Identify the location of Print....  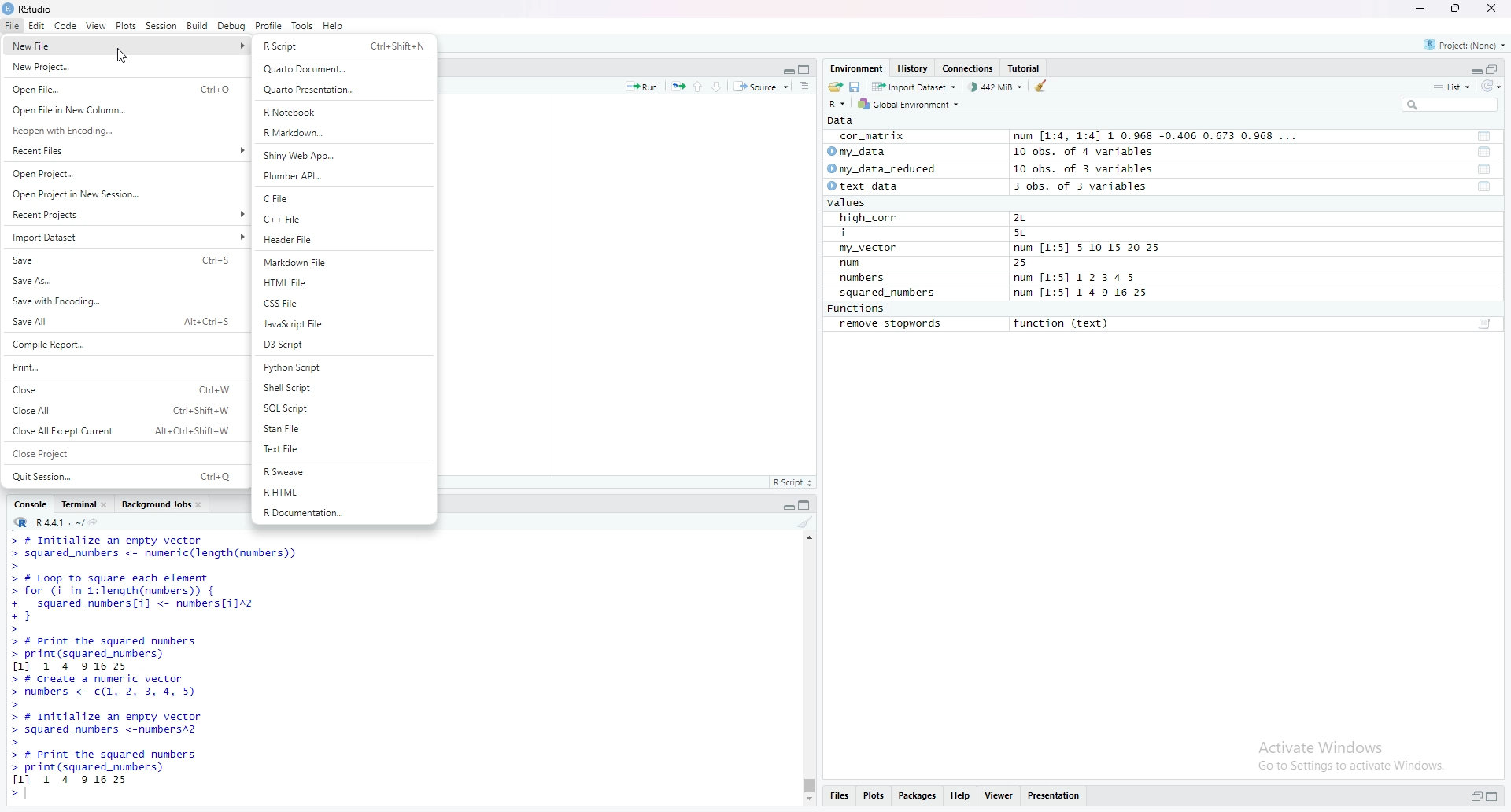
(118, 365).